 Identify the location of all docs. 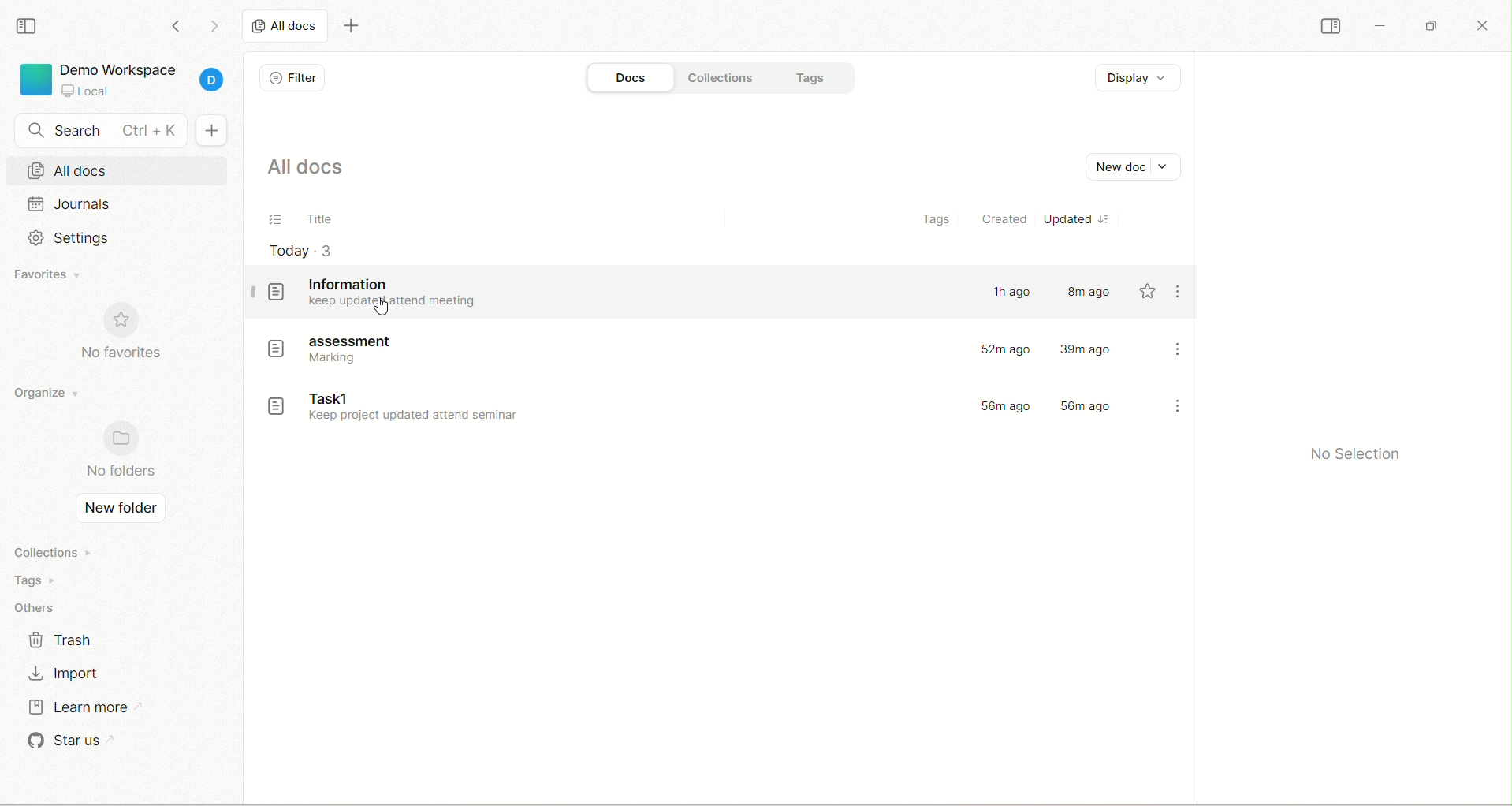
(304, 163).